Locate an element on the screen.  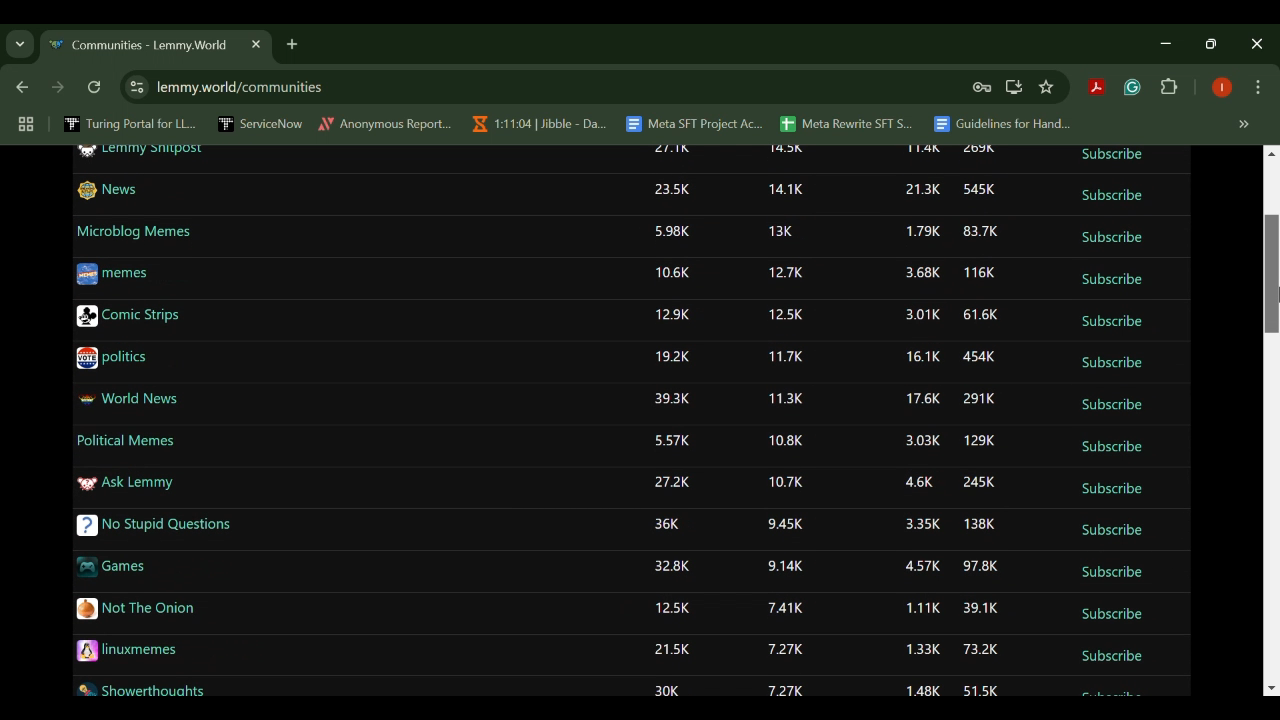
61.6K is located at coordinates (982, 314).